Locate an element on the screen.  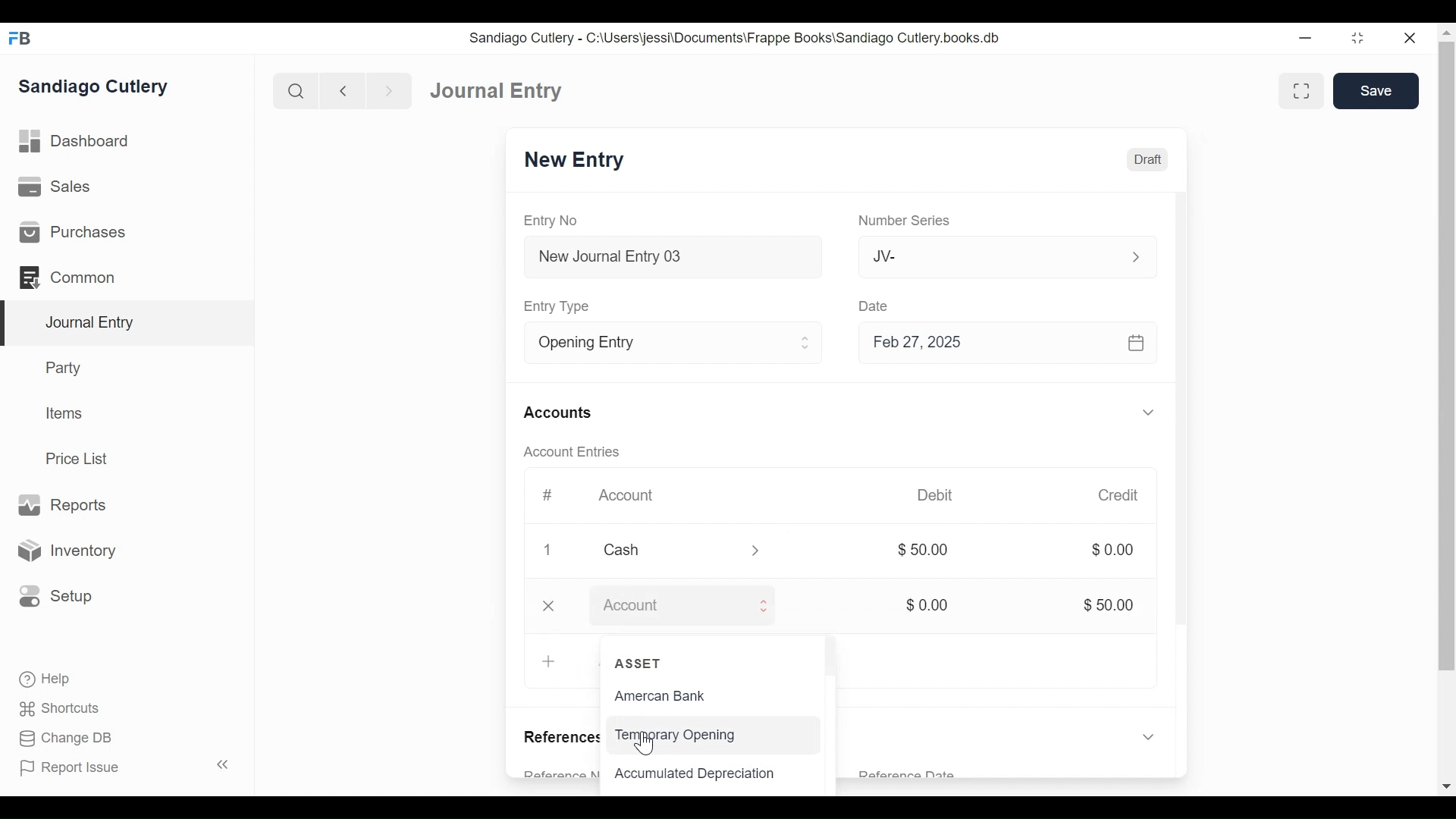
Temporary Opening is located at coordinates (674, 735).